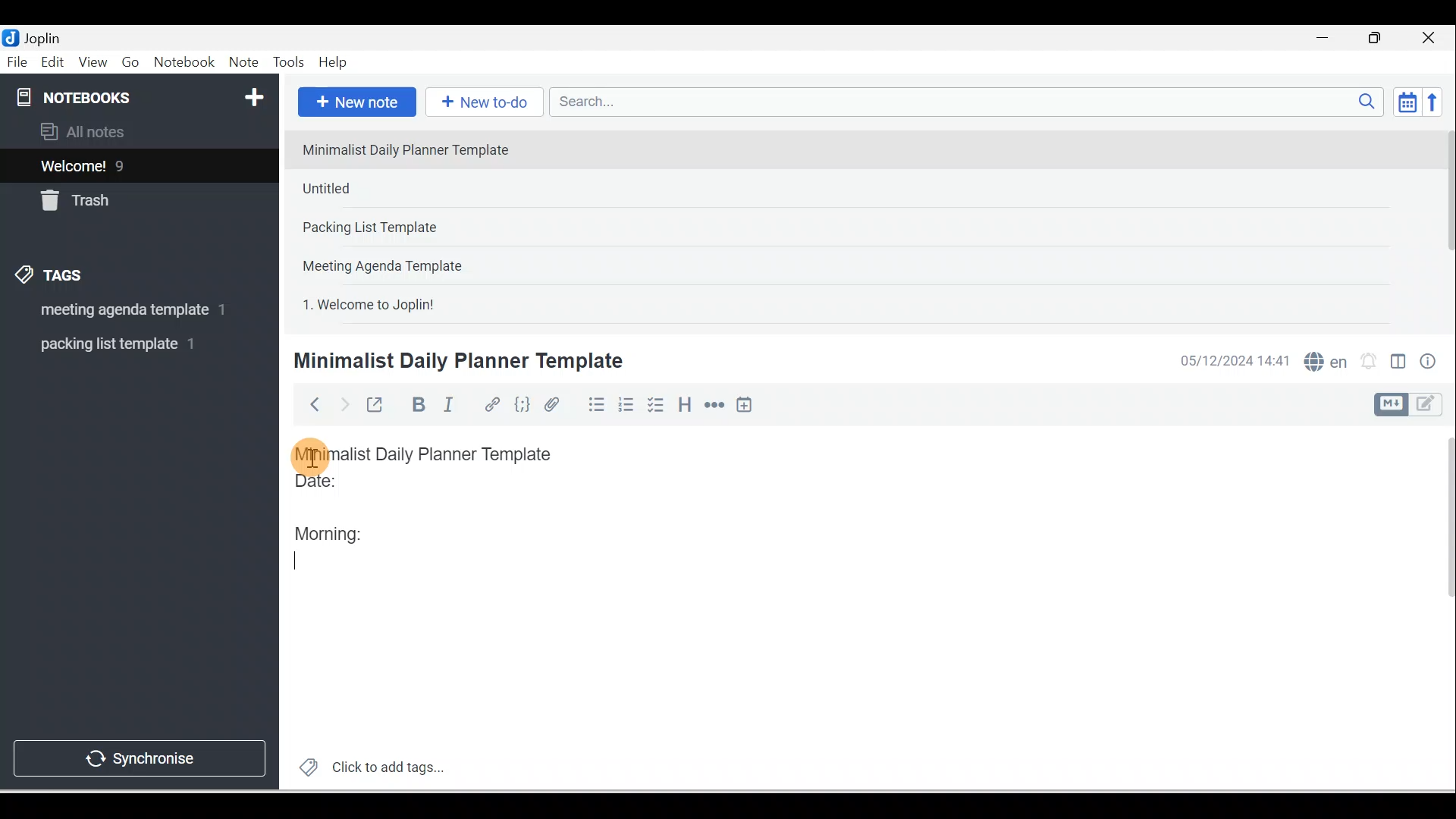 The image size is (1456, 819). What do you see at coordinates (971, 102) in the screenshot?
I see `Search bar` at bounding box center [971, 102].